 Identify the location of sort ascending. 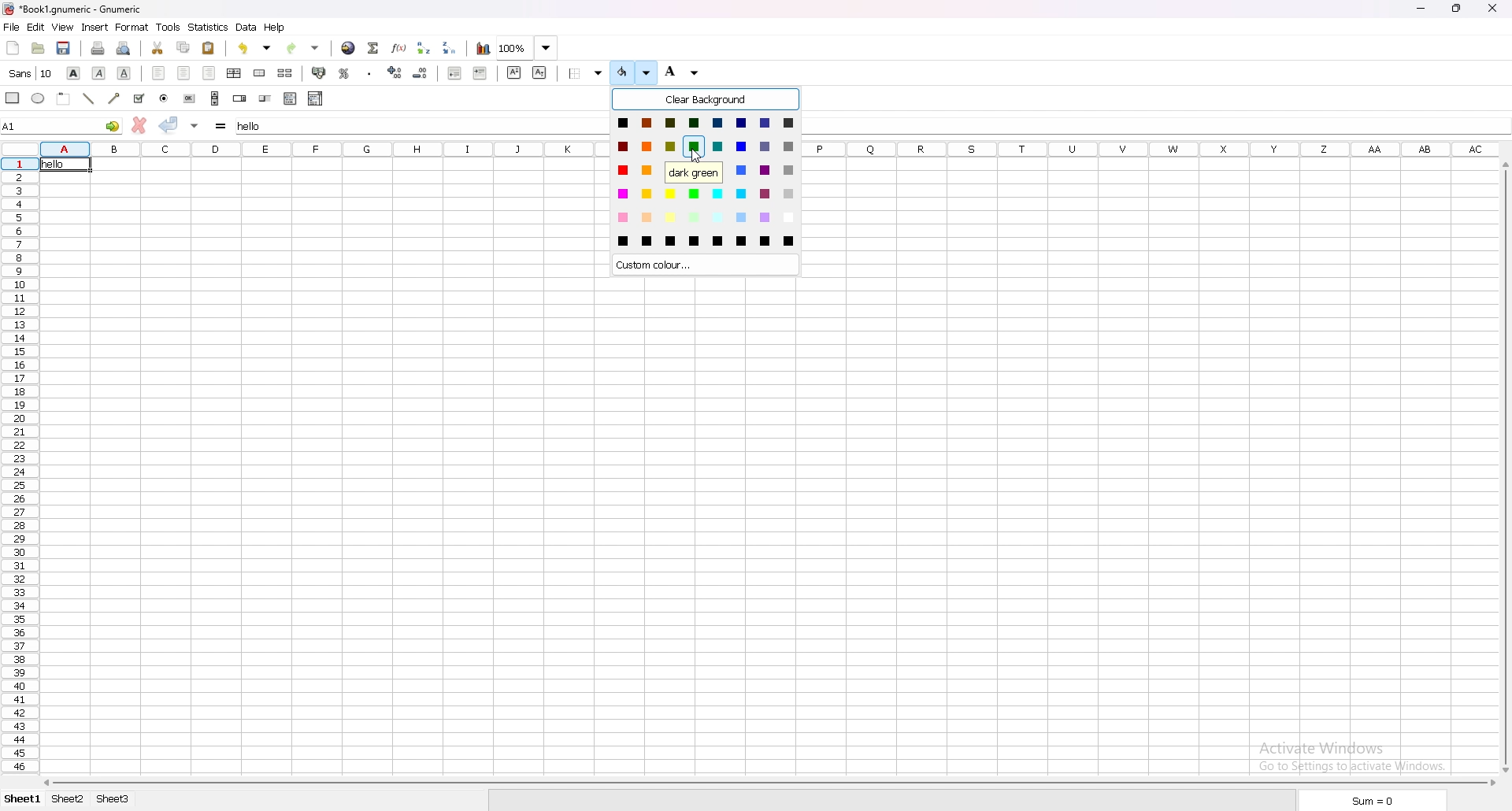
(425, 47).